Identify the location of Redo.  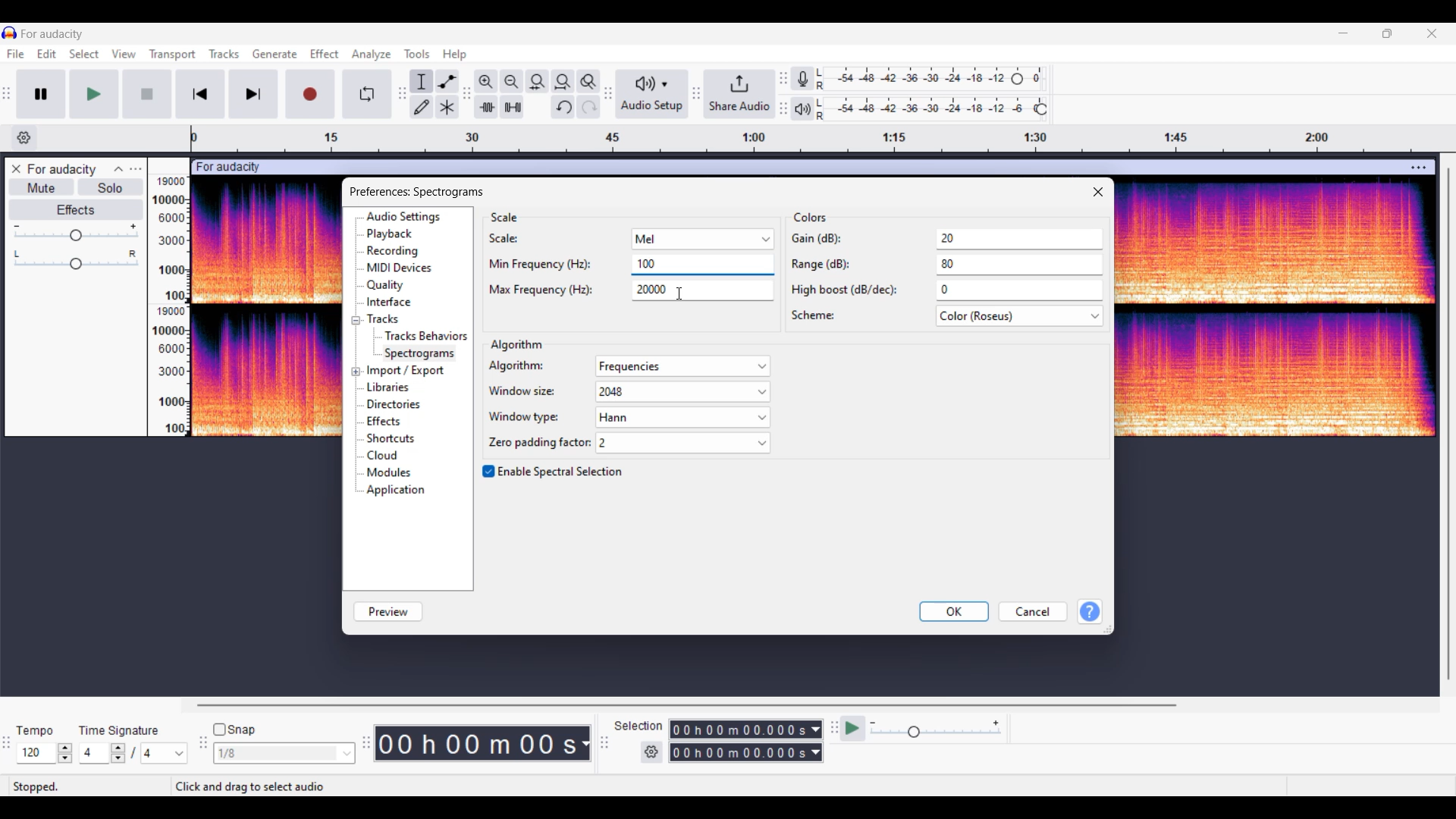
(588, 107).